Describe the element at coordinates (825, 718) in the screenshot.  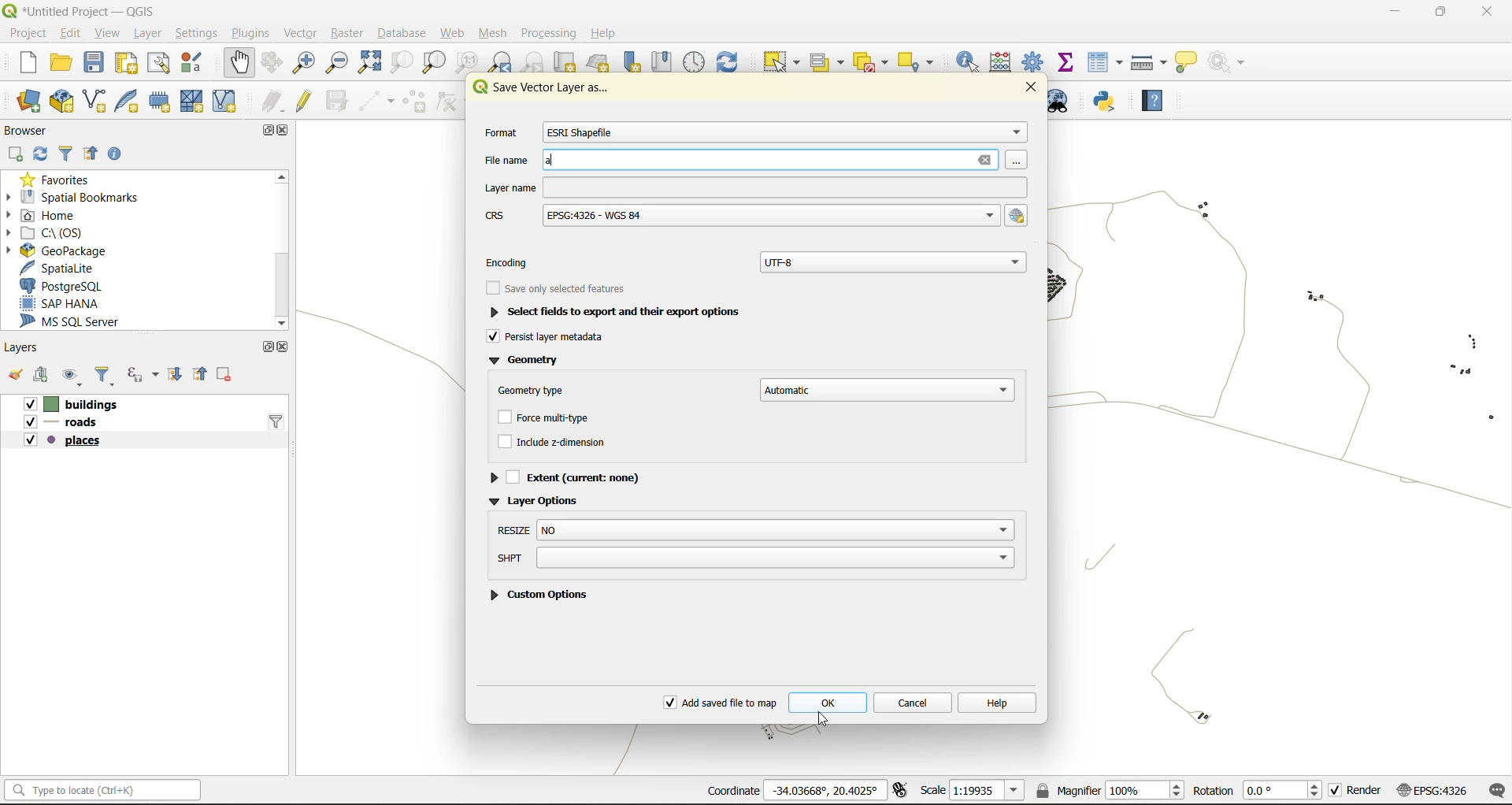
I see `cursor` at that location.